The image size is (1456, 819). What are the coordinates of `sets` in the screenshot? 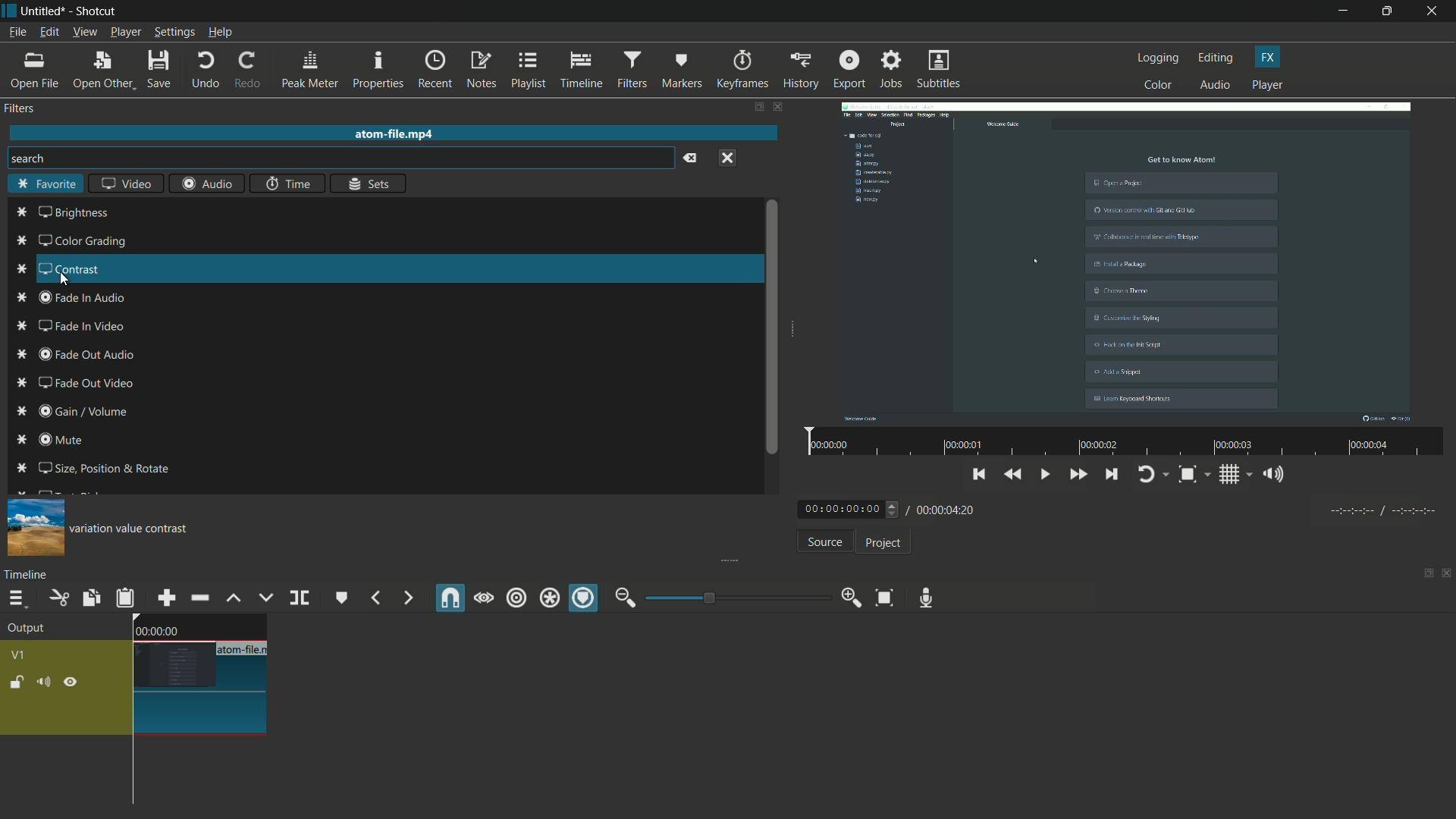 It's located at (370, 183).